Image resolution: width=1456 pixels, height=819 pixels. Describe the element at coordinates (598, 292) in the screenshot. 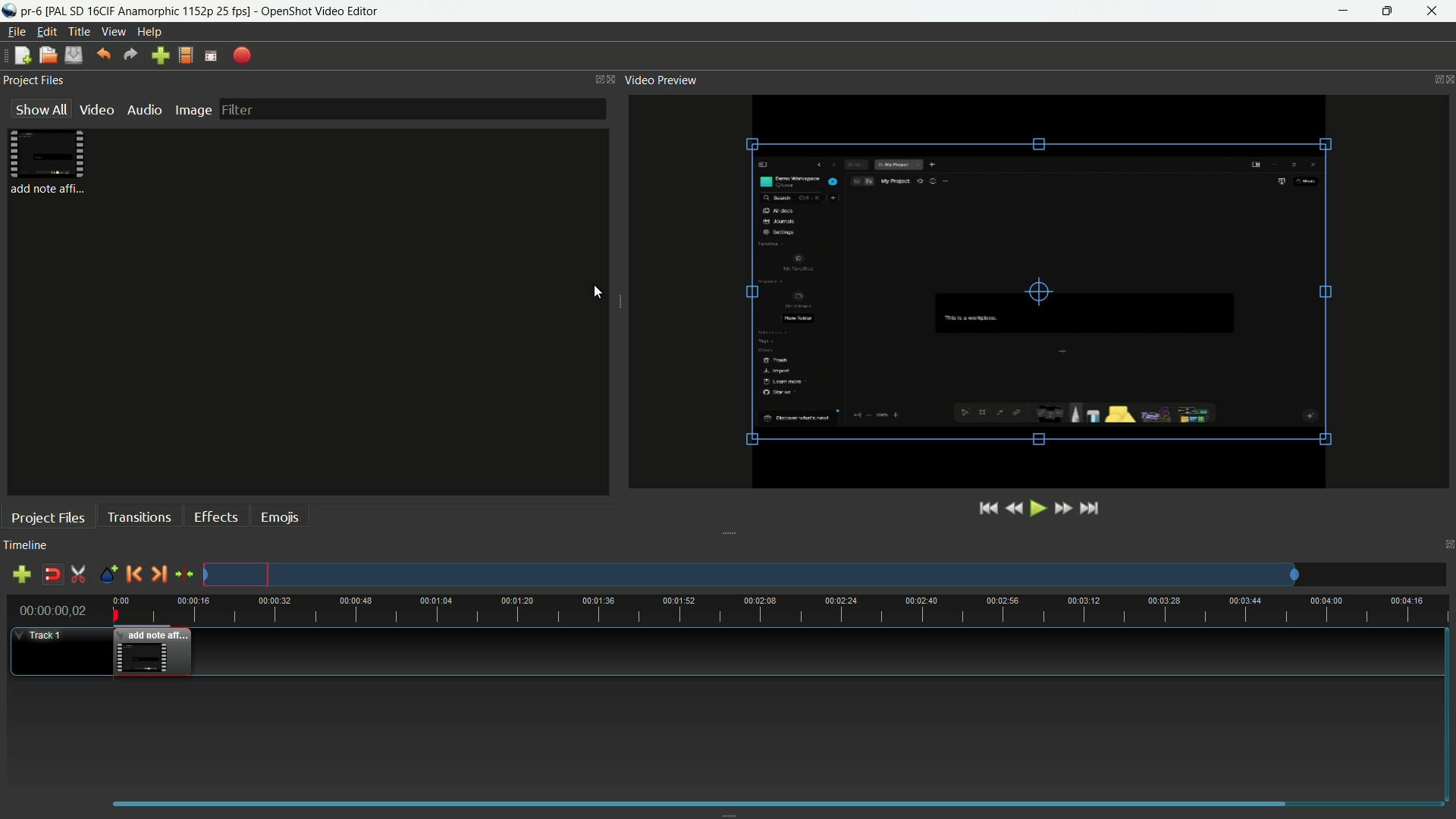

I see `cursor` at that location.